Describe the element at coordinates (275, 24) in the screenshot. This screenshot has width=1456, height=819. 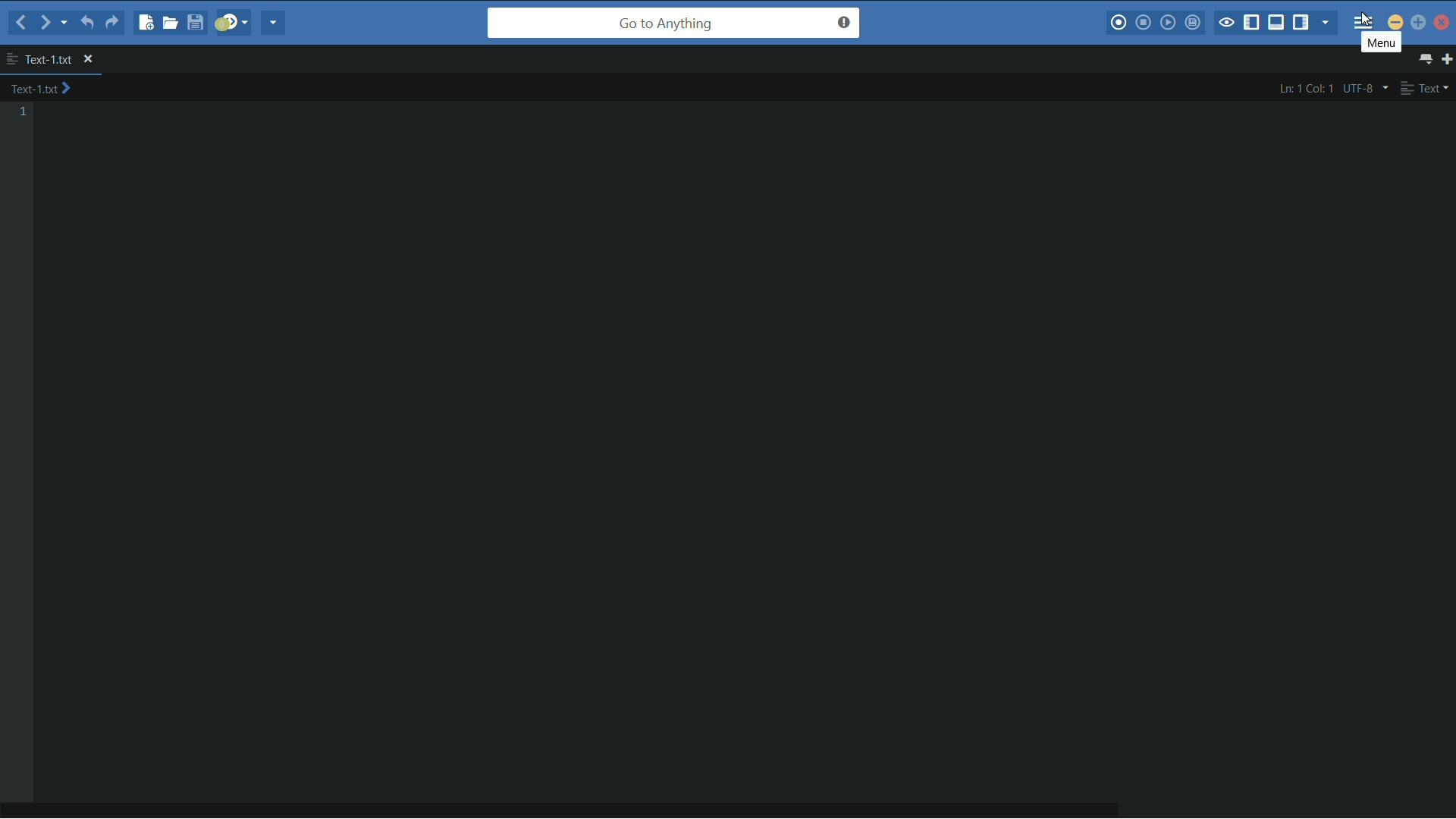
I see `share current file` at that location.